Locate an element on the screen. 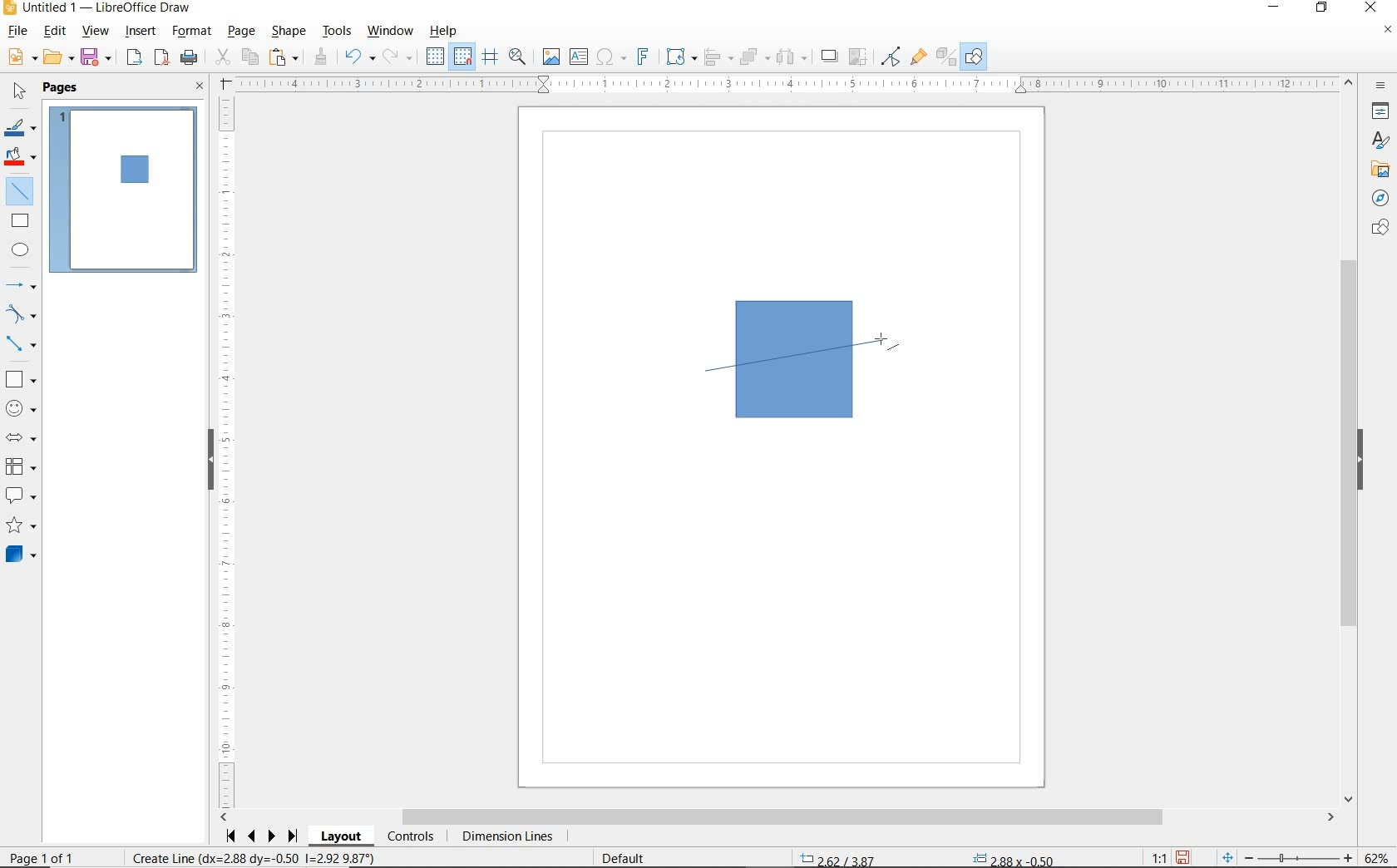 The image size is (1397, 868). INSERT LINE is located at coordinates (22, 191).